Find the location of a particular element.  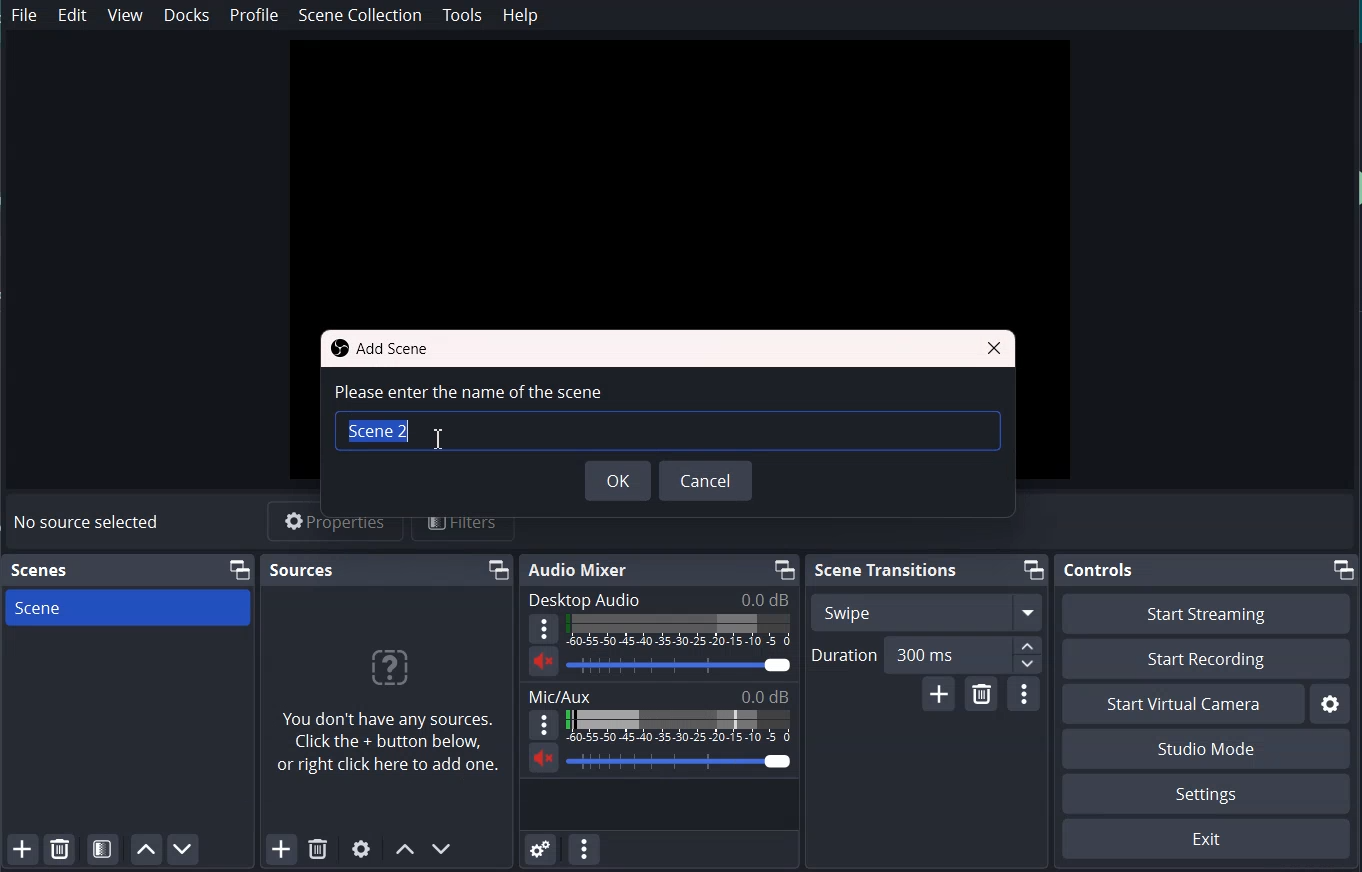

More is located at coordinates (544, 724).